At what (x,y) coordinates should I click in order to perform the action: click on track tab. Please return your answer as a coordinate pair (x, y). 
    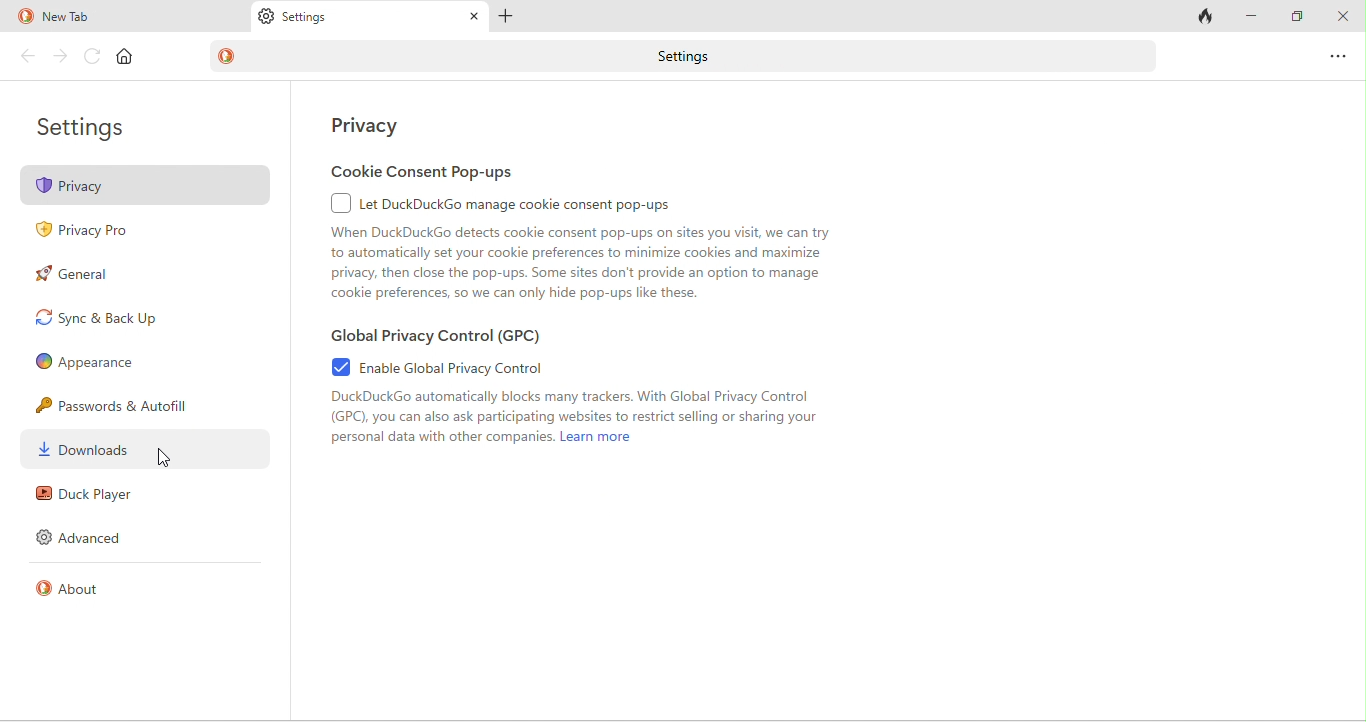
    Looking at the image, I should click on (1200, 17).